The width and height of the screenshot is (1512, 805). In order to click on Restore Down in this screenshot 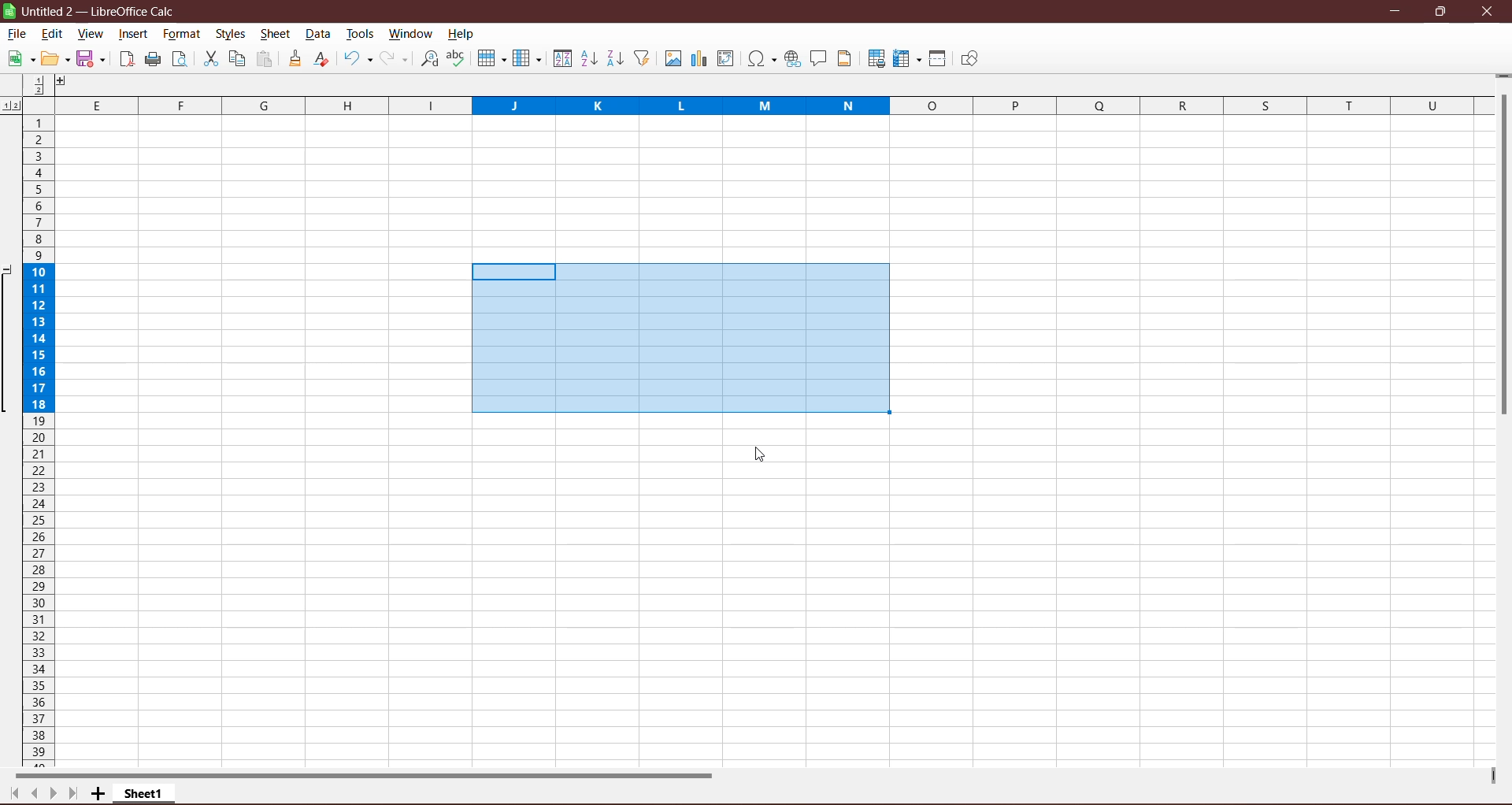, I will do `click(1440, 11)`.